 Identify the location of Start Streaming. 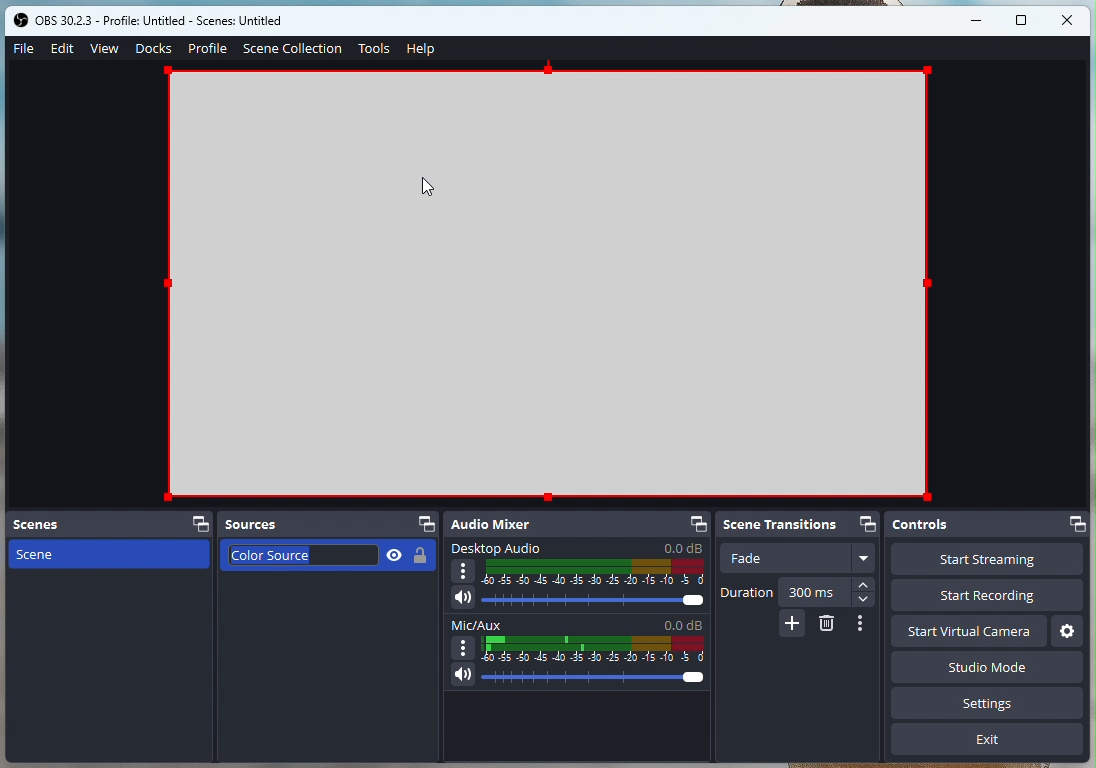
(986, 561).